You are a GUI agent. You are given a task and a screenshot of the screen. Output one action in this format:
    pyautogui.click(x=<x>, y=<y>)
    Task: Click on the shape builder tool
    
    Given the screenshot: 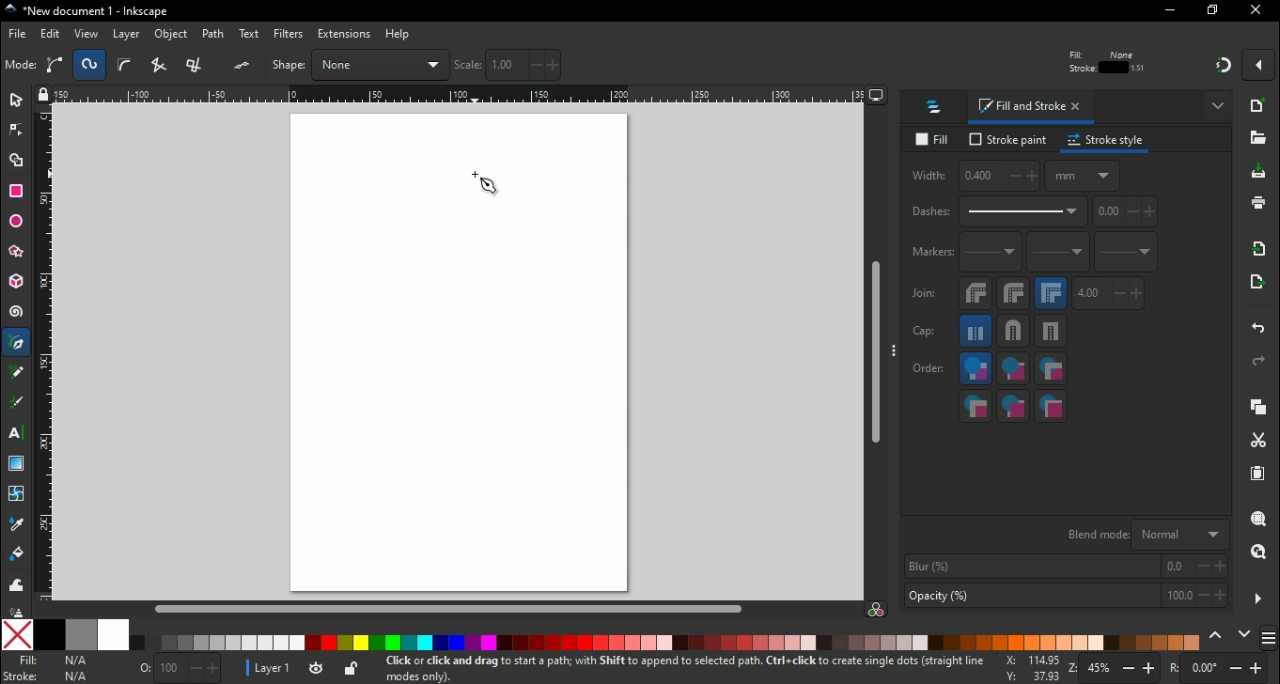 What is the action you would take?
    pyautogui.click(x=19, y=162)
    